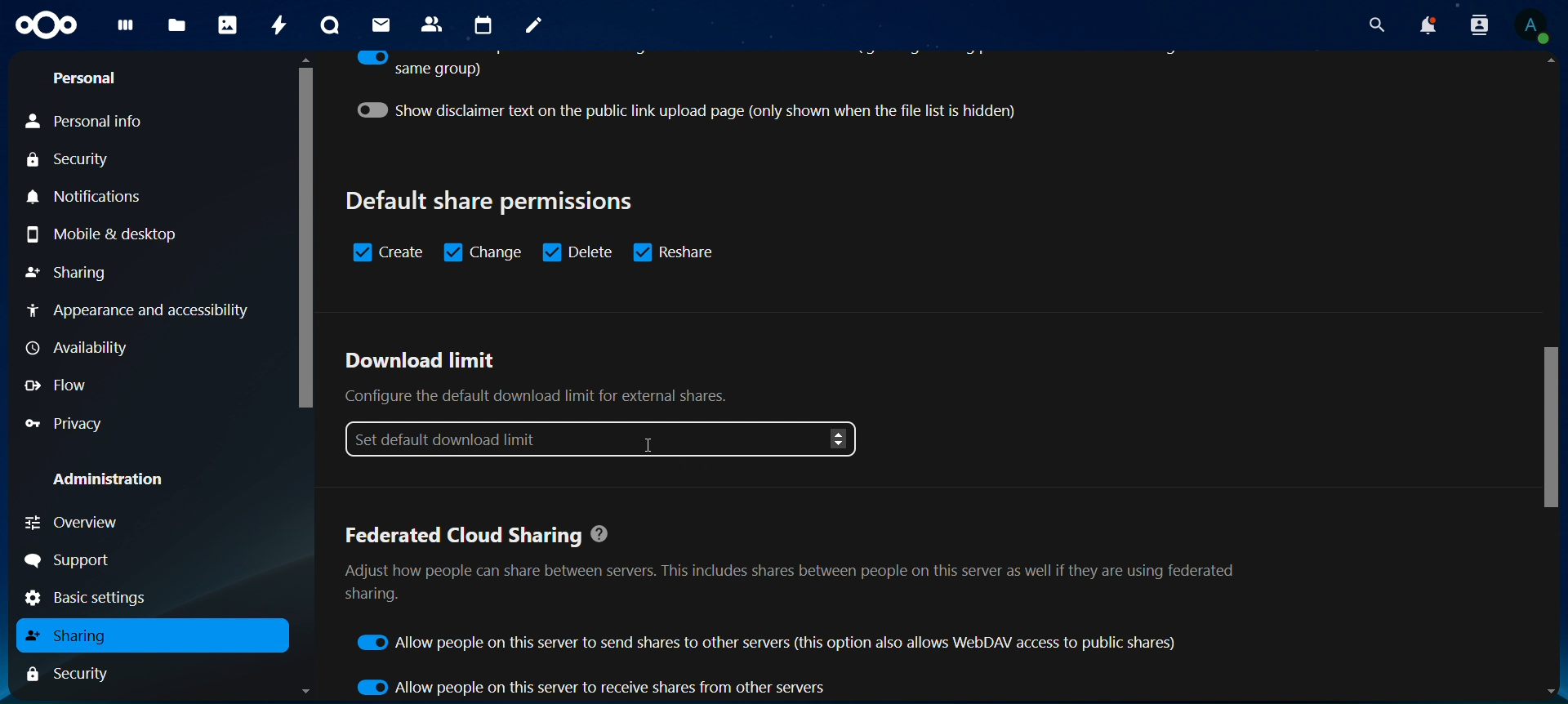 This screenshot has width=1568, height=704. Describe the element at coordinates (1478, 25) in the screenshot. I see `search contacts` at that location.